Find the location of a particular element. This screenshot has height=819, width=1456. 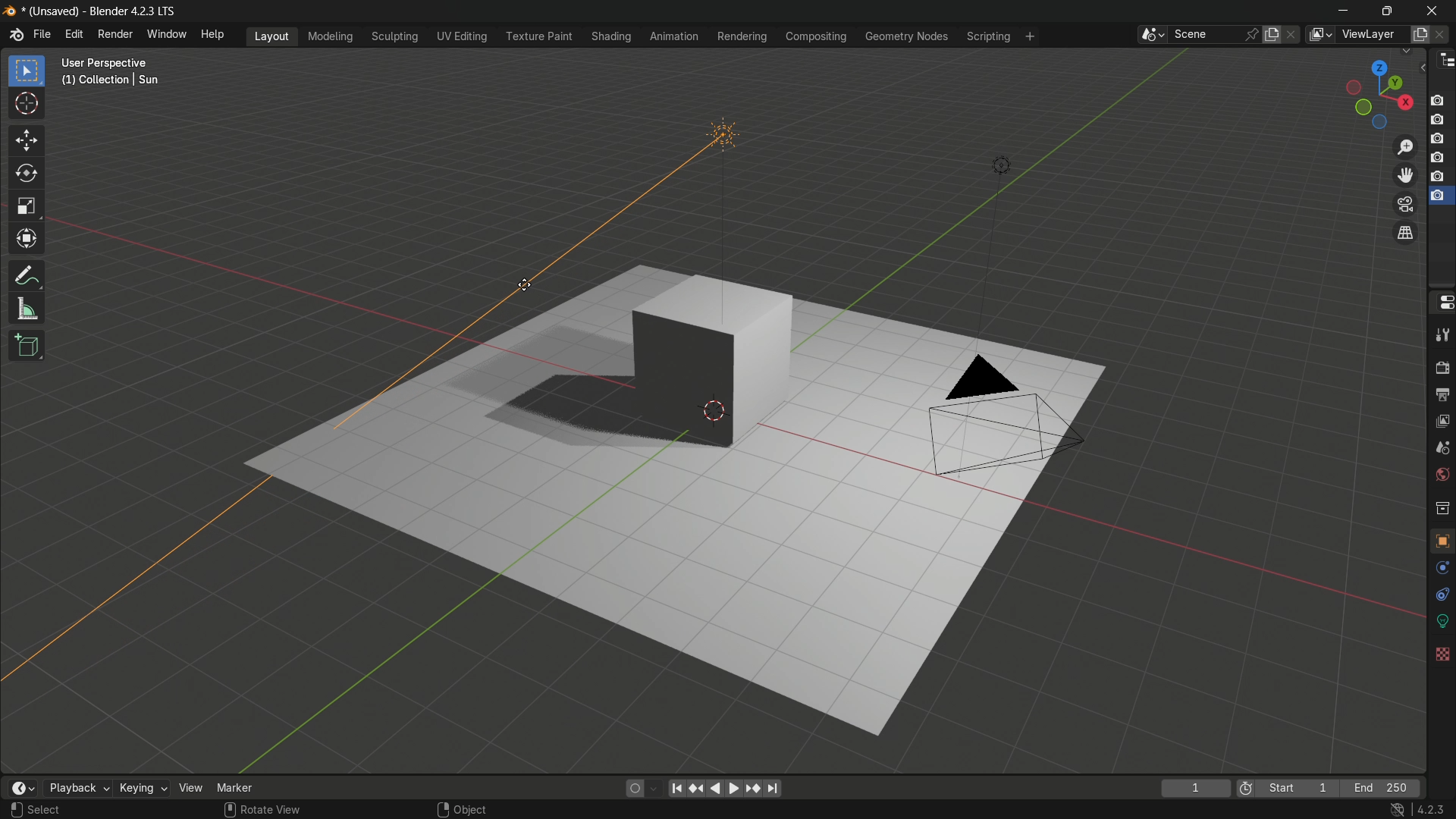

uv editing is located at coordinates (462, 36).